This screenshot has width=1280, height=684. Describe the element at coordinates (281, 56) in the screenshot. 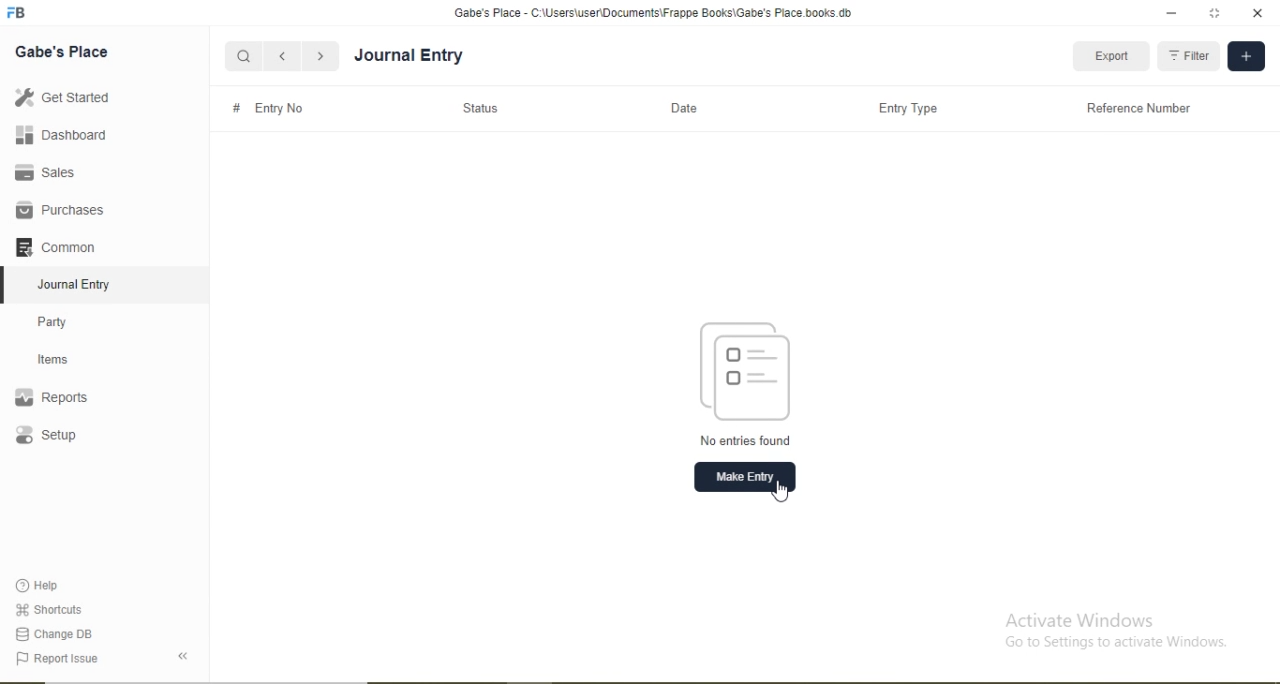

I see `navigate backward` at that location.